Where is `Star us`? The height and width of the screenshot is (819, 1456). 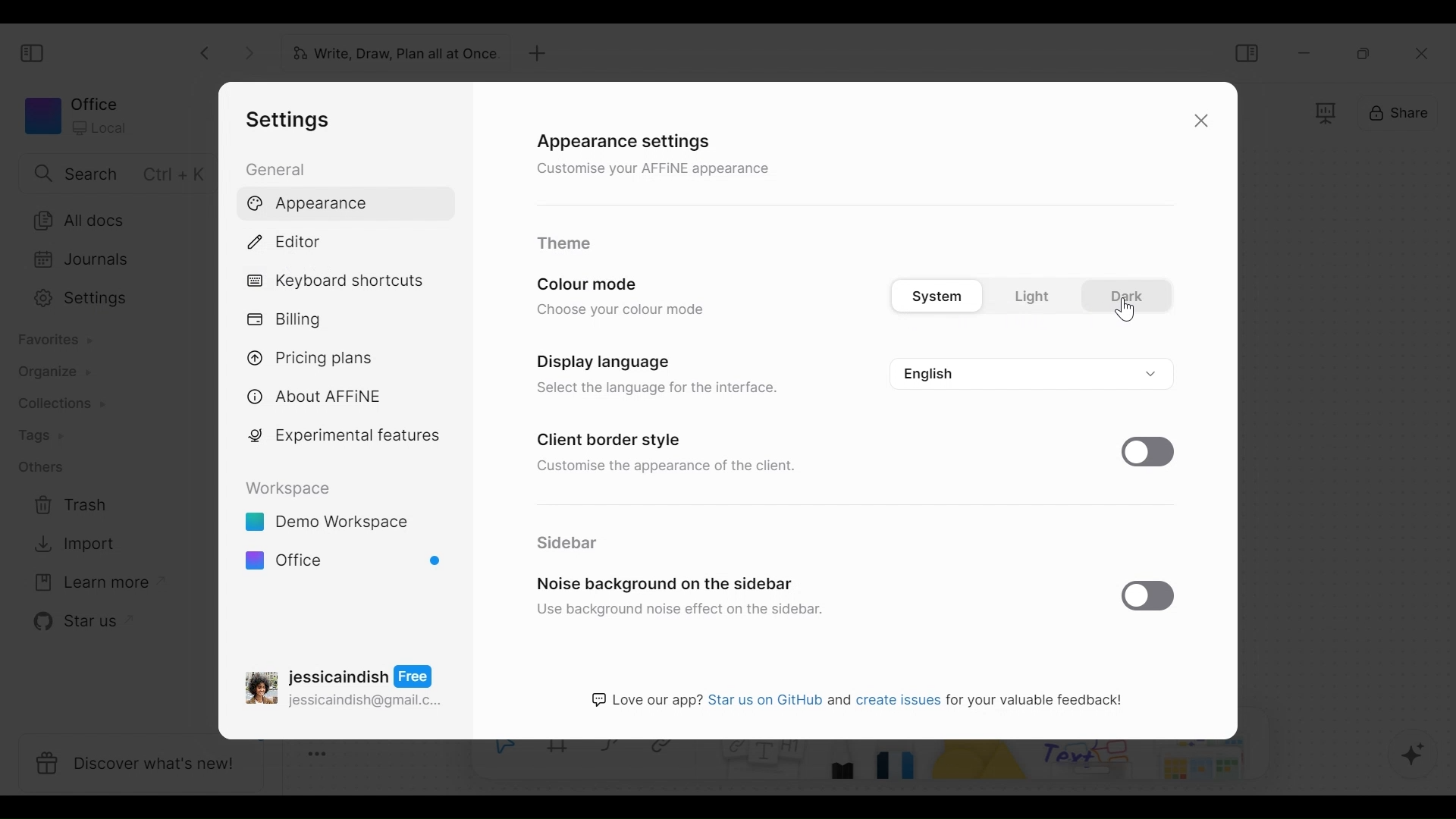 Star us is located at coordinates (80, 624).